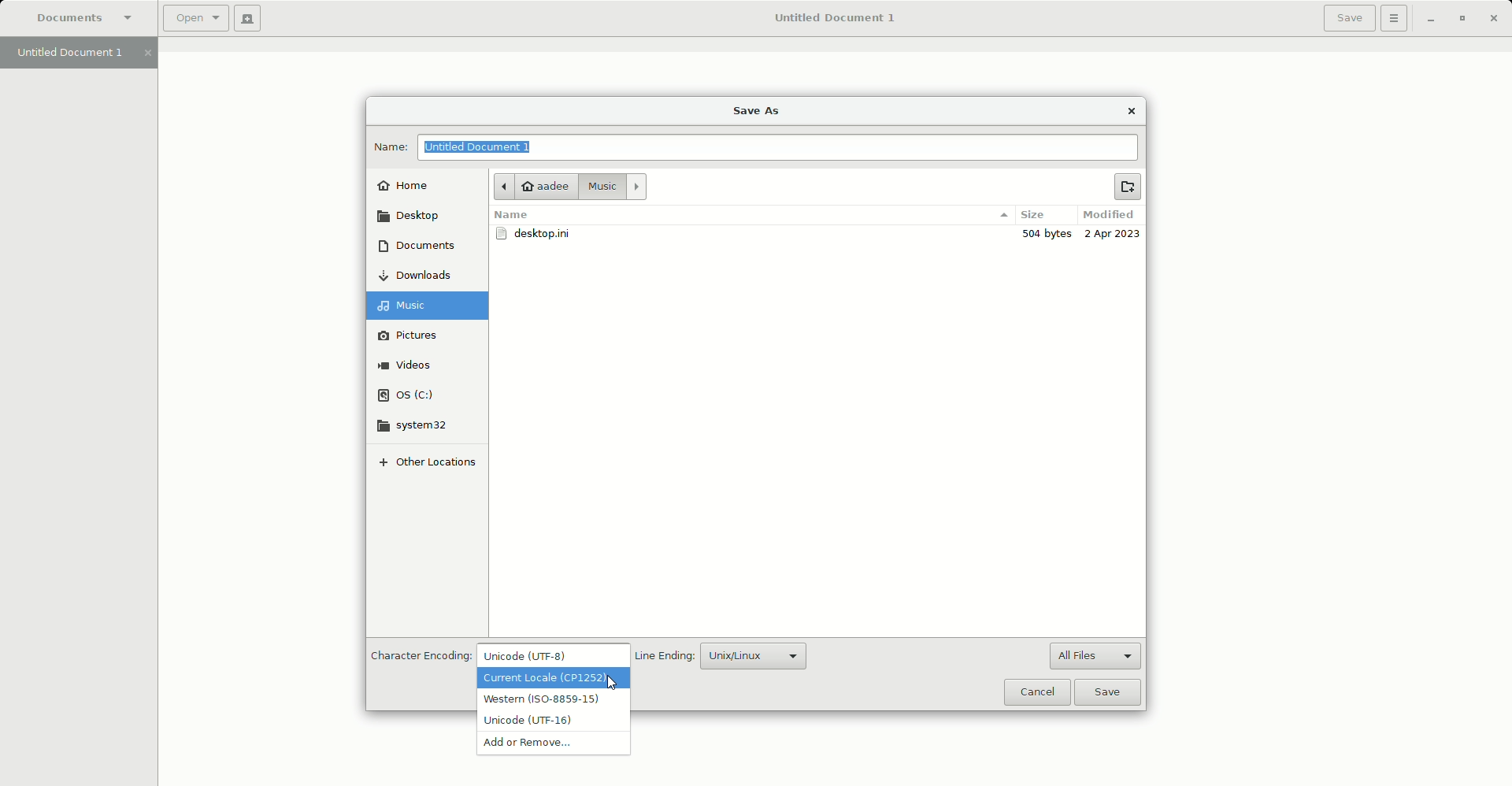  What do you see at coordinates (83, 54) in the screenshot?
I see `Untitled Document 1` at bounding box center [83, 54].